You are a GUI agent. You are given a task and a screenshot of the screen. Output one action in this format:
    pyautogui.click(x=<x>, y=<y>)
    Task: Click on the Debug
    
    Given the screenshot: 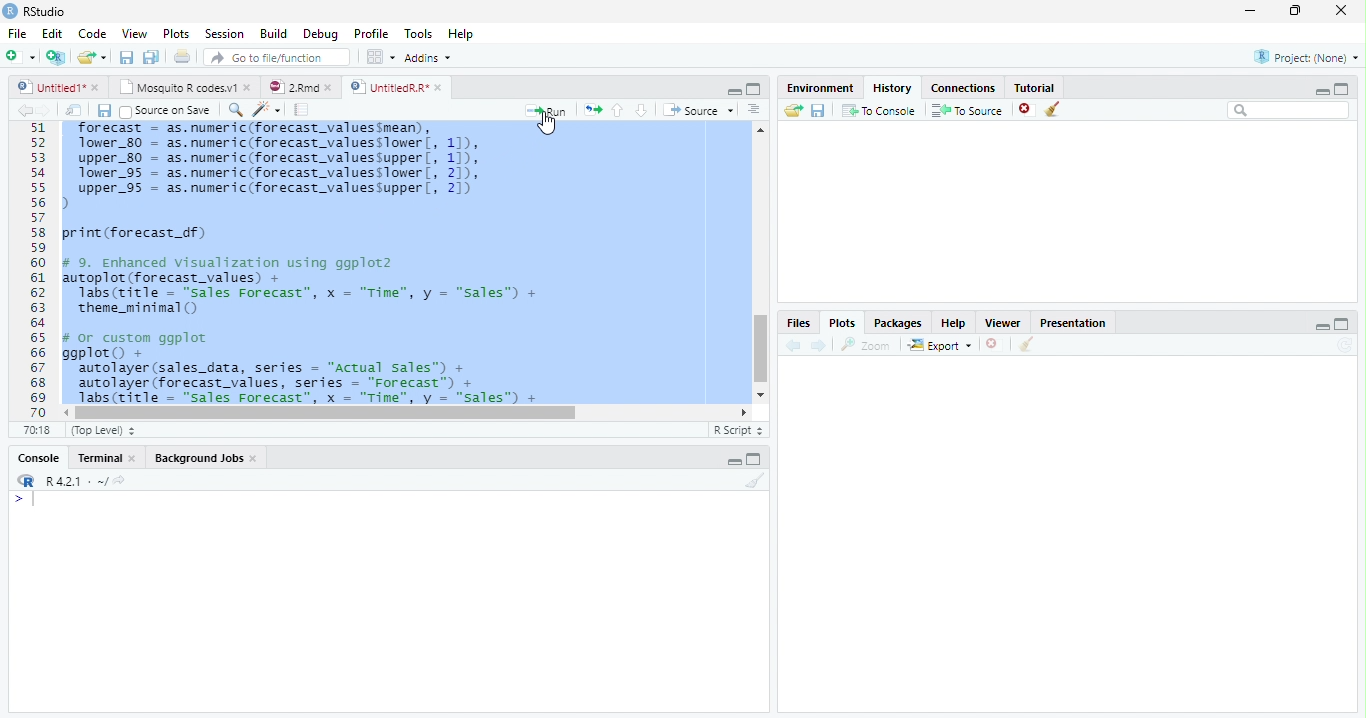 What is the action you would take?
    pyautogui.click(x=321, y=33)
    